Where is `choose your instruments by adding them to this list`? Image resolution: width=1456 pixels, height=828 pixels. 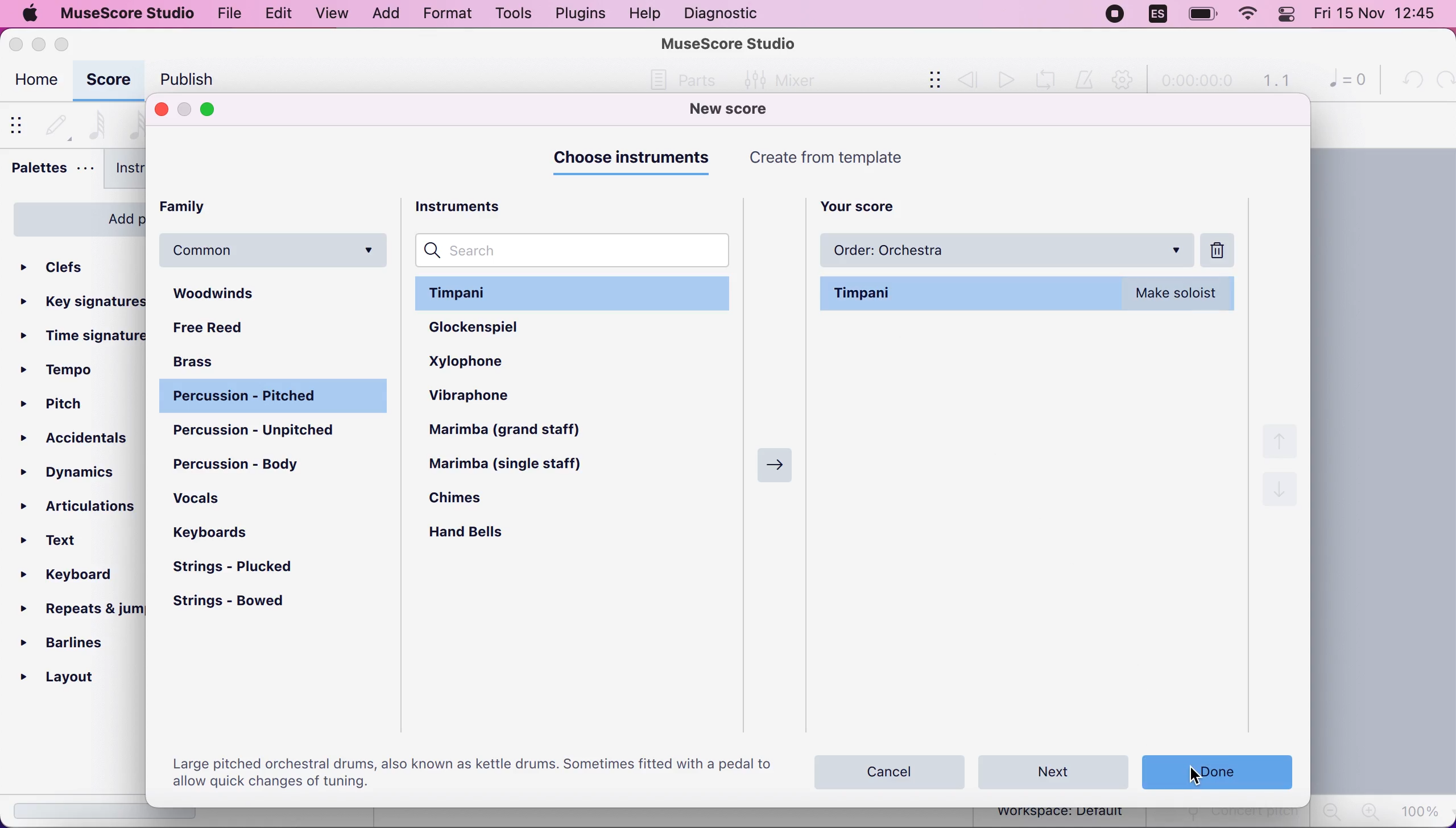 choose your instruments by adding them to this list is located at coordinates (1036, 514).